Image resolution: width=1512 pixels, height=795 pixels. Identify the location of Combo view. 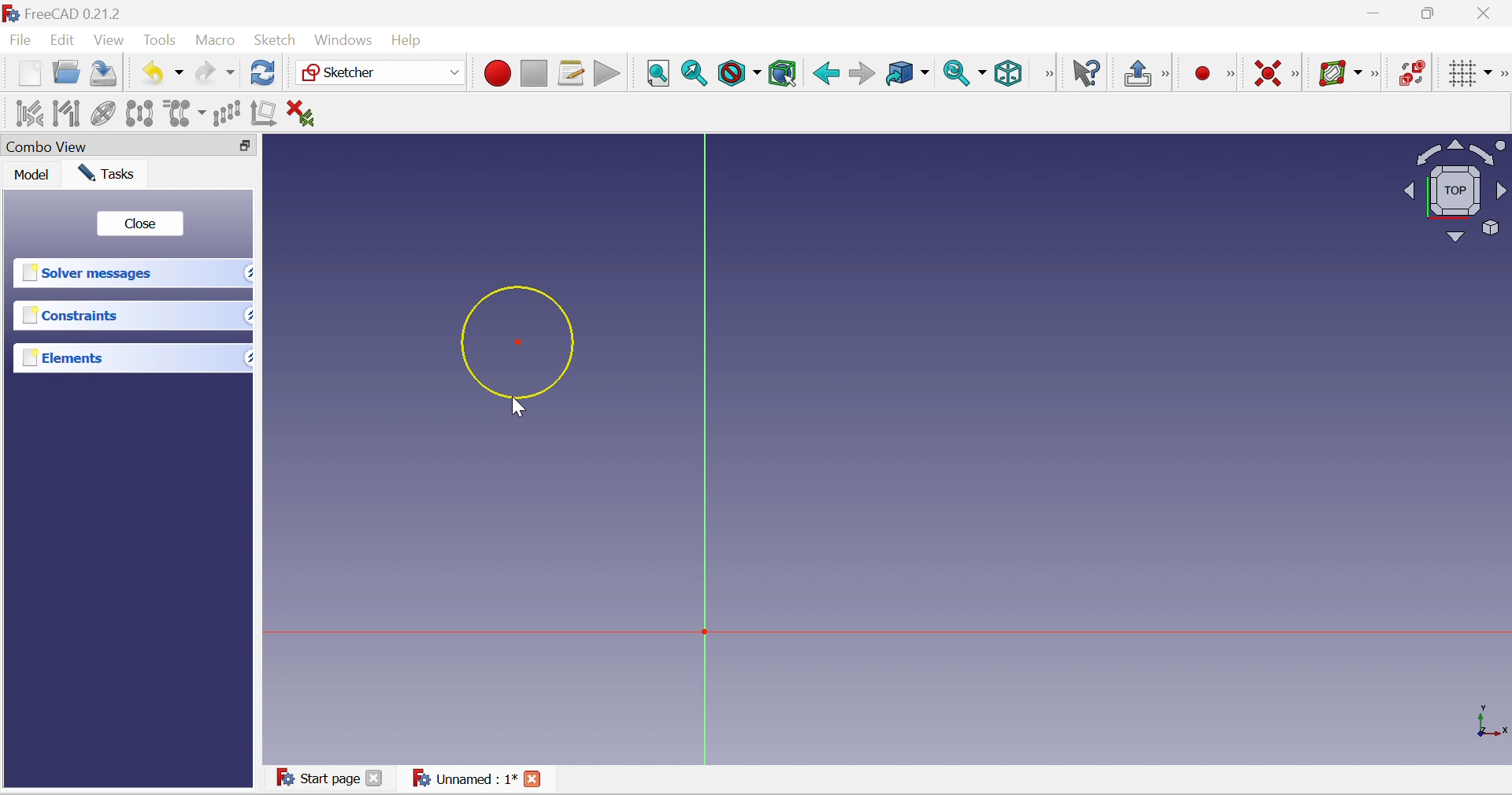
(48, 146).